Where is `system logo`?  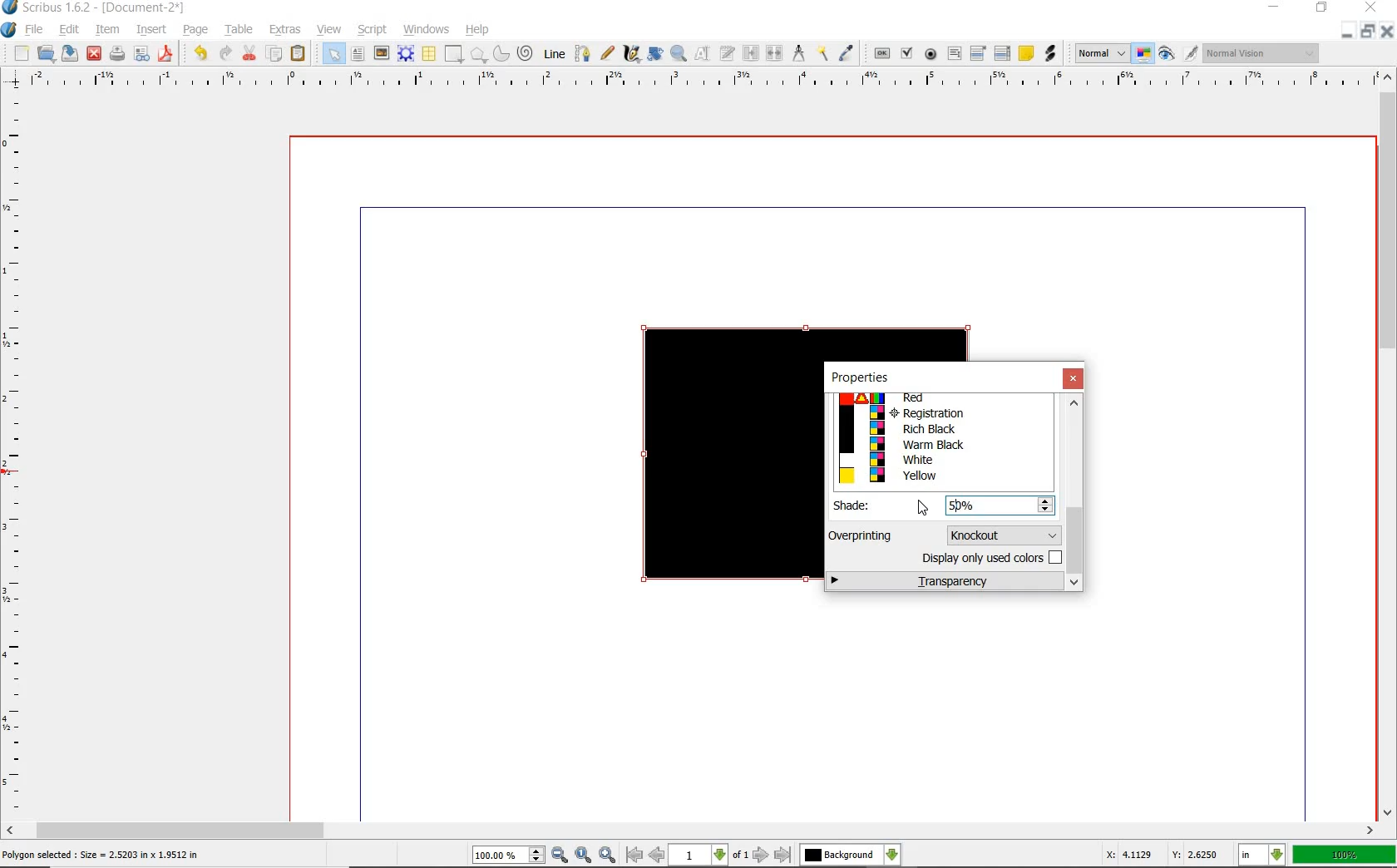 system logo is located at coordinates (10, 31).